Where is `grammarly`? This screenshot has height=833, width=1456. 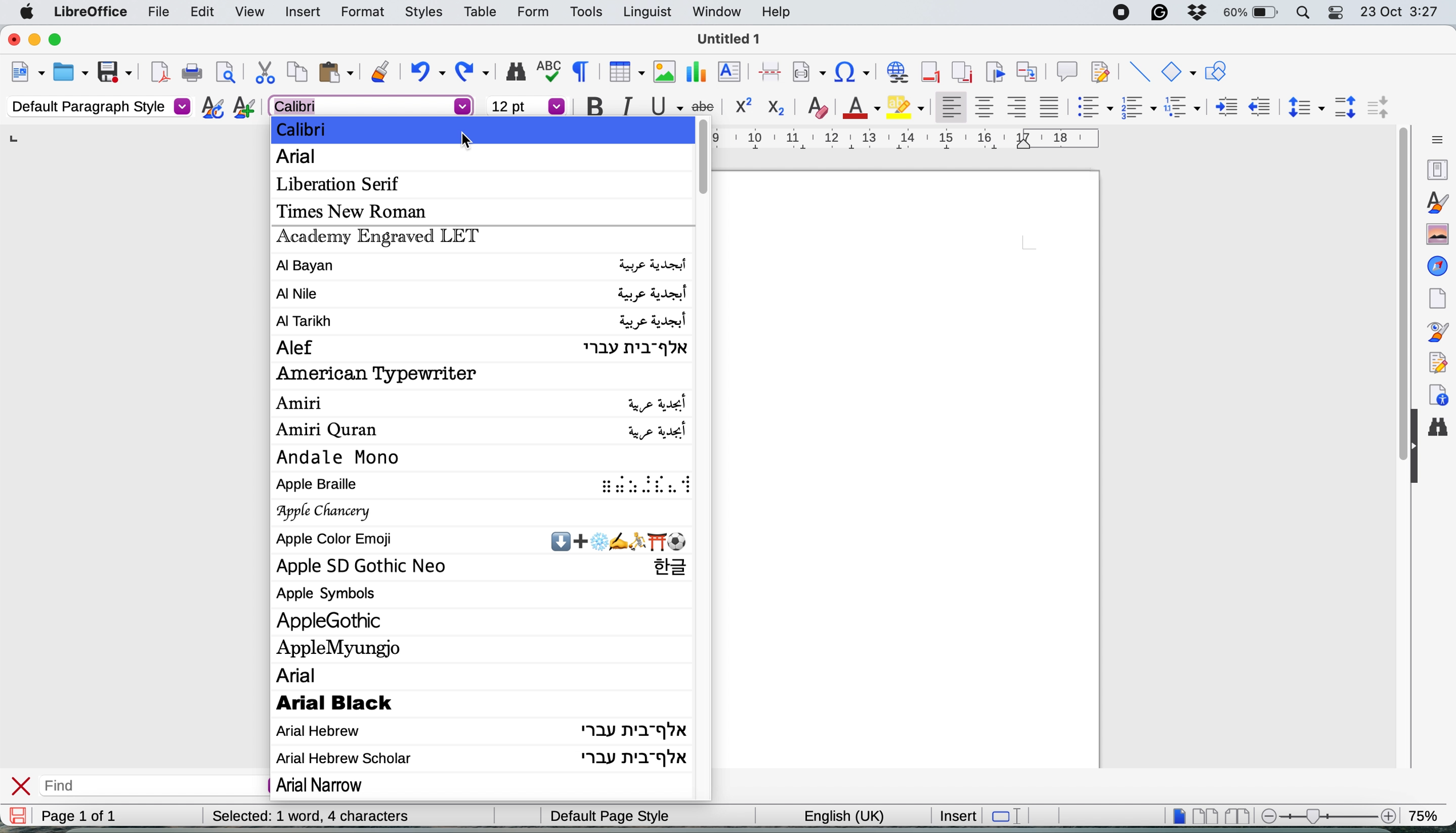
grammarly is located at coordinates (1157, 14).